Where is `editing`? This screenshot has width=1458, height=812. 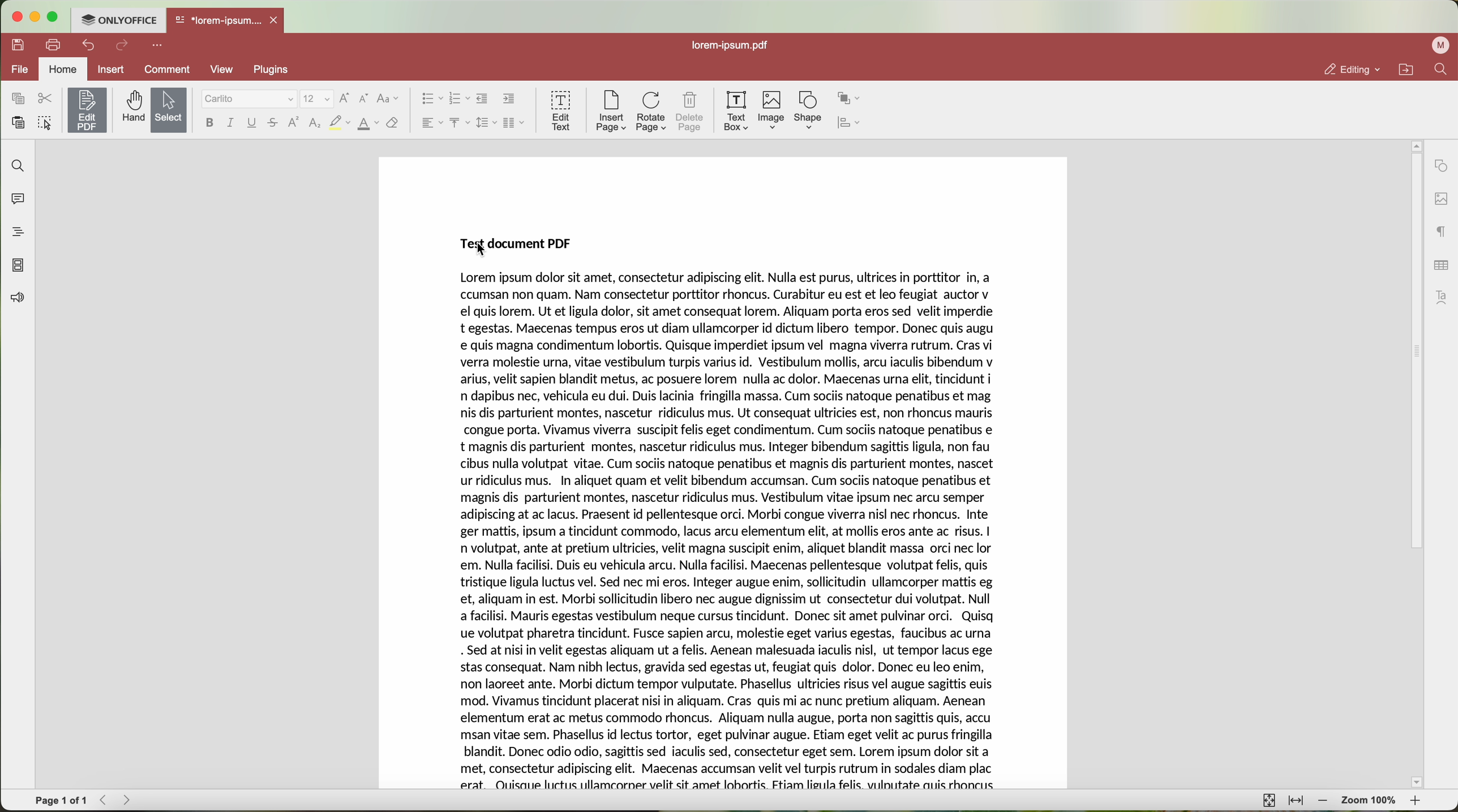
editing is located at coordinates (1352, 69).